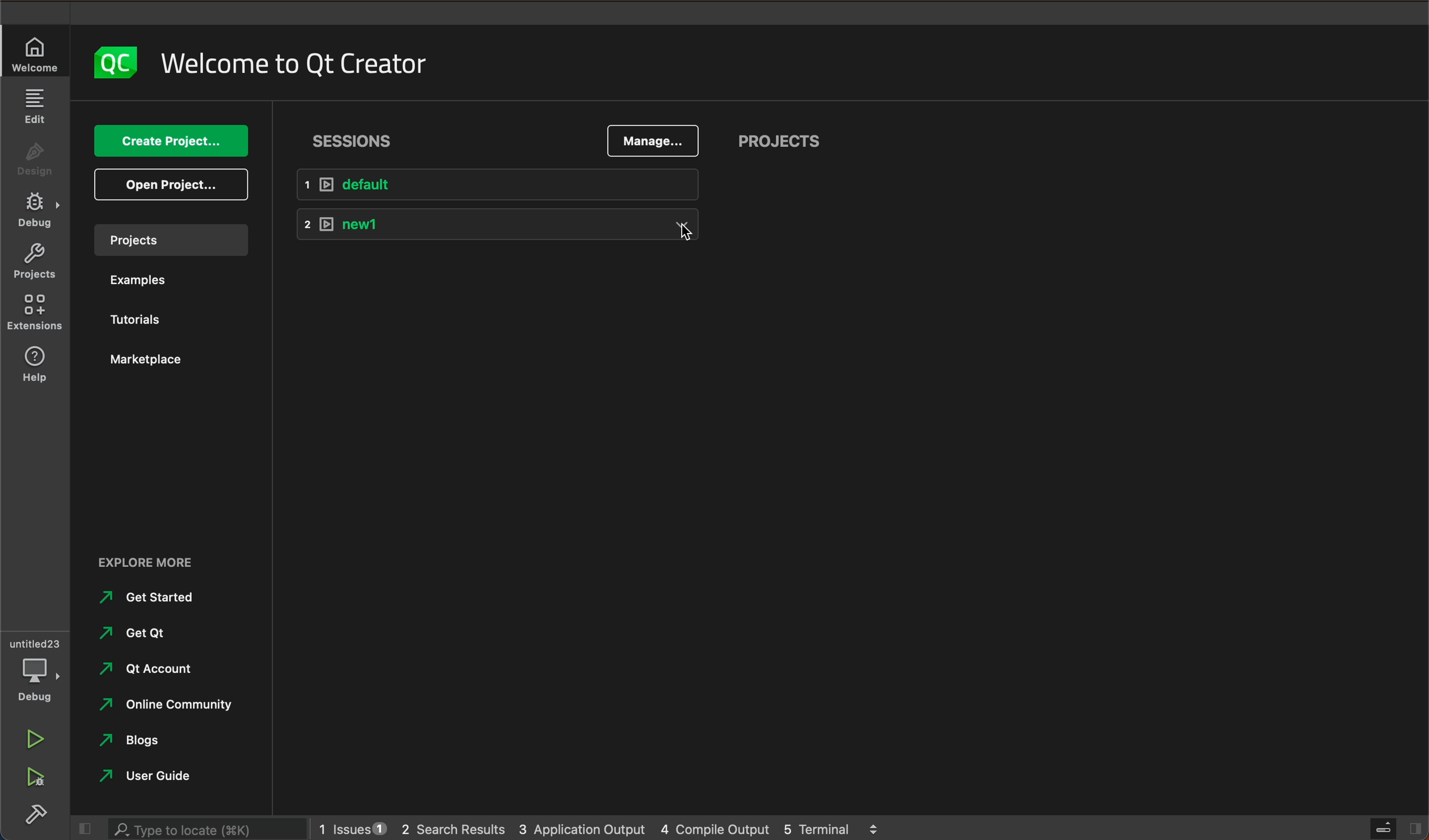 The image size is (1429, 840). I want to click on logs, so click(597, 829).